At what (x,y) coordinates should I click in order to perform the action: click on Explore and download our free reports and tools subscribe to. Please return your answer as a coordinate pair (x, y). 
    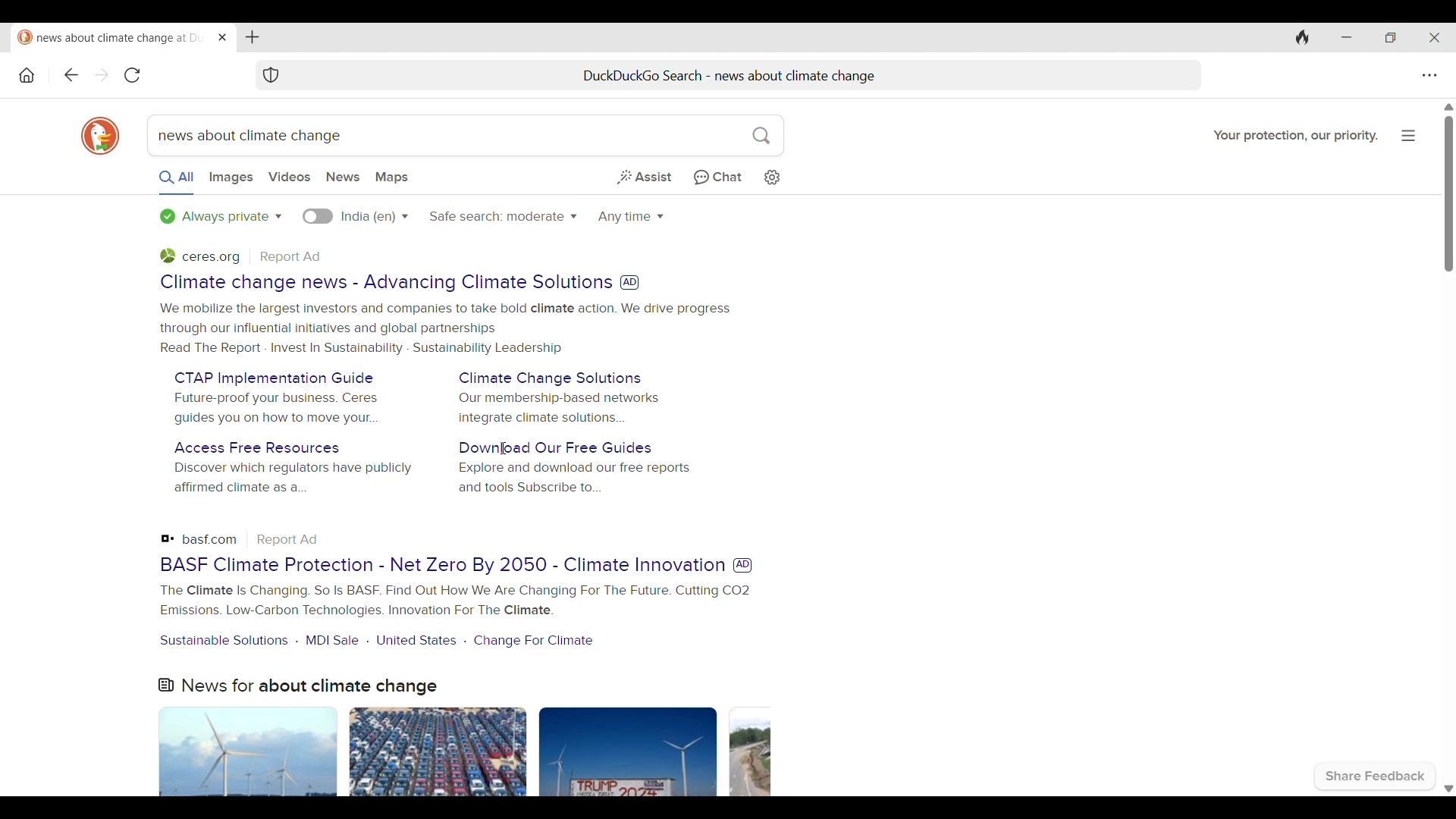
    Looking at the image, I should click on (575, 479).